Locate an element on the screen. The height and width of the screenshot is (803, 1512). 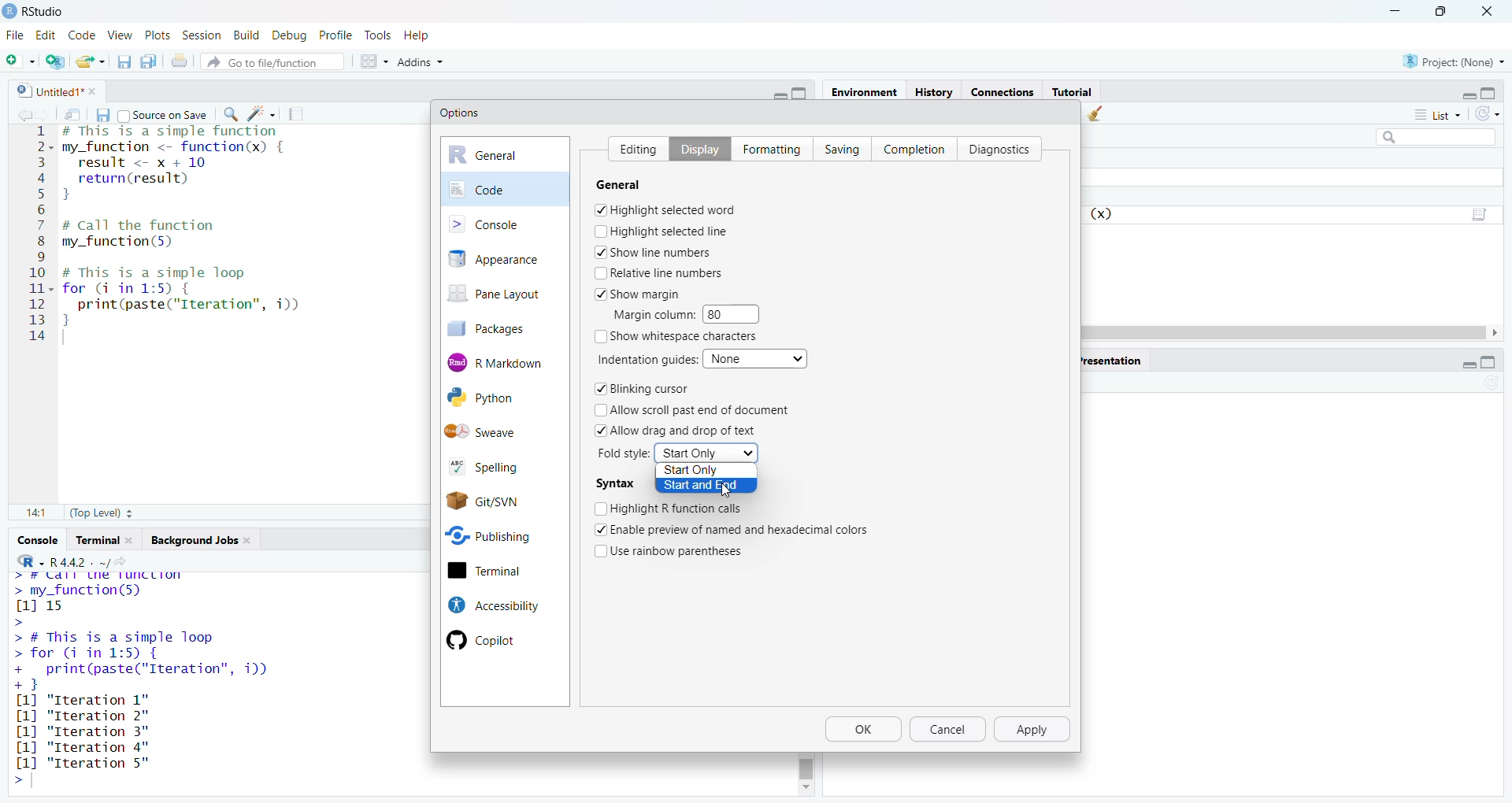
compile report is located at coordinates (300, 112).